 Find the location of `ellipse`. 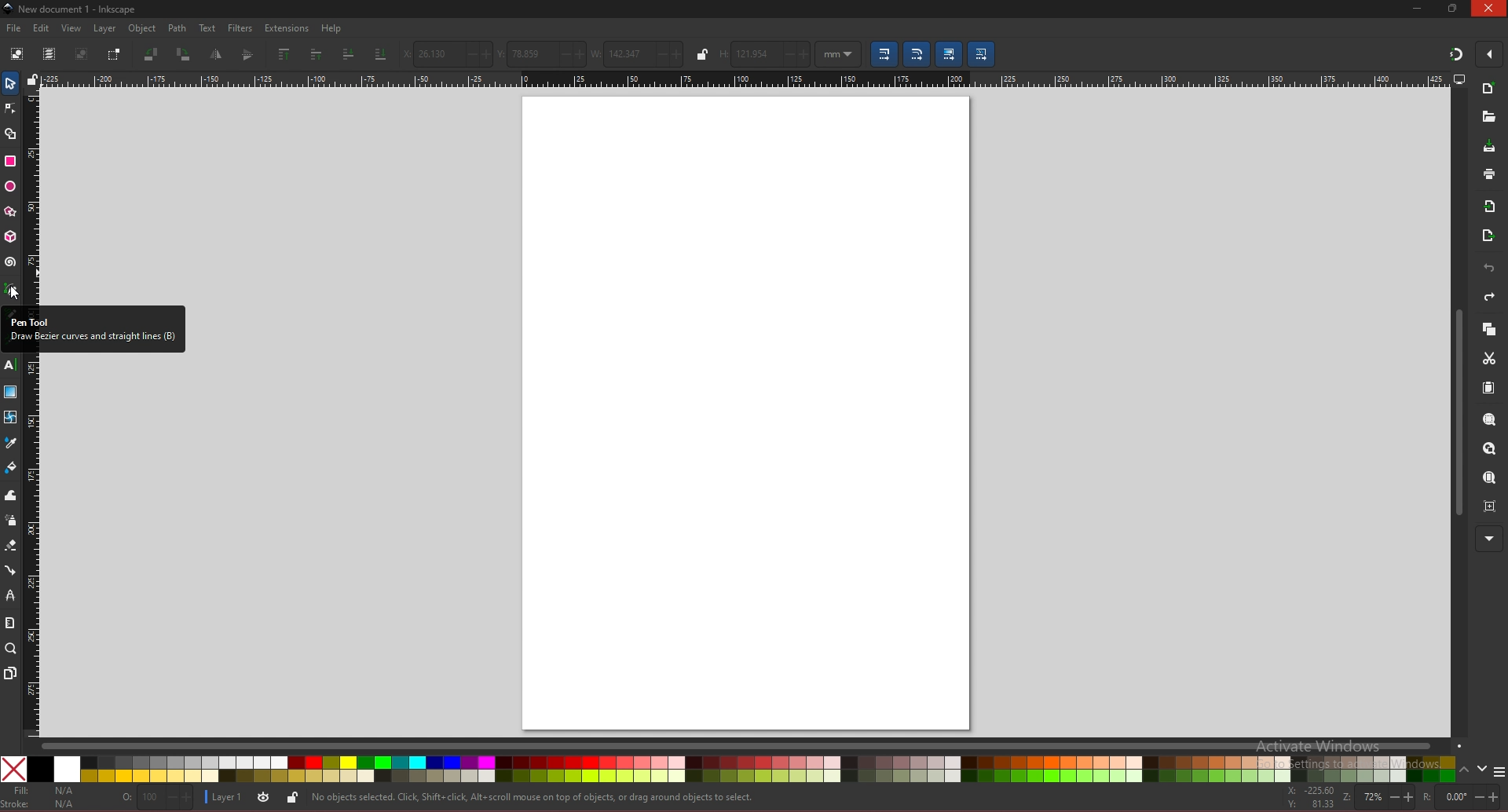

ellipse is located at coordinates (10, 187).